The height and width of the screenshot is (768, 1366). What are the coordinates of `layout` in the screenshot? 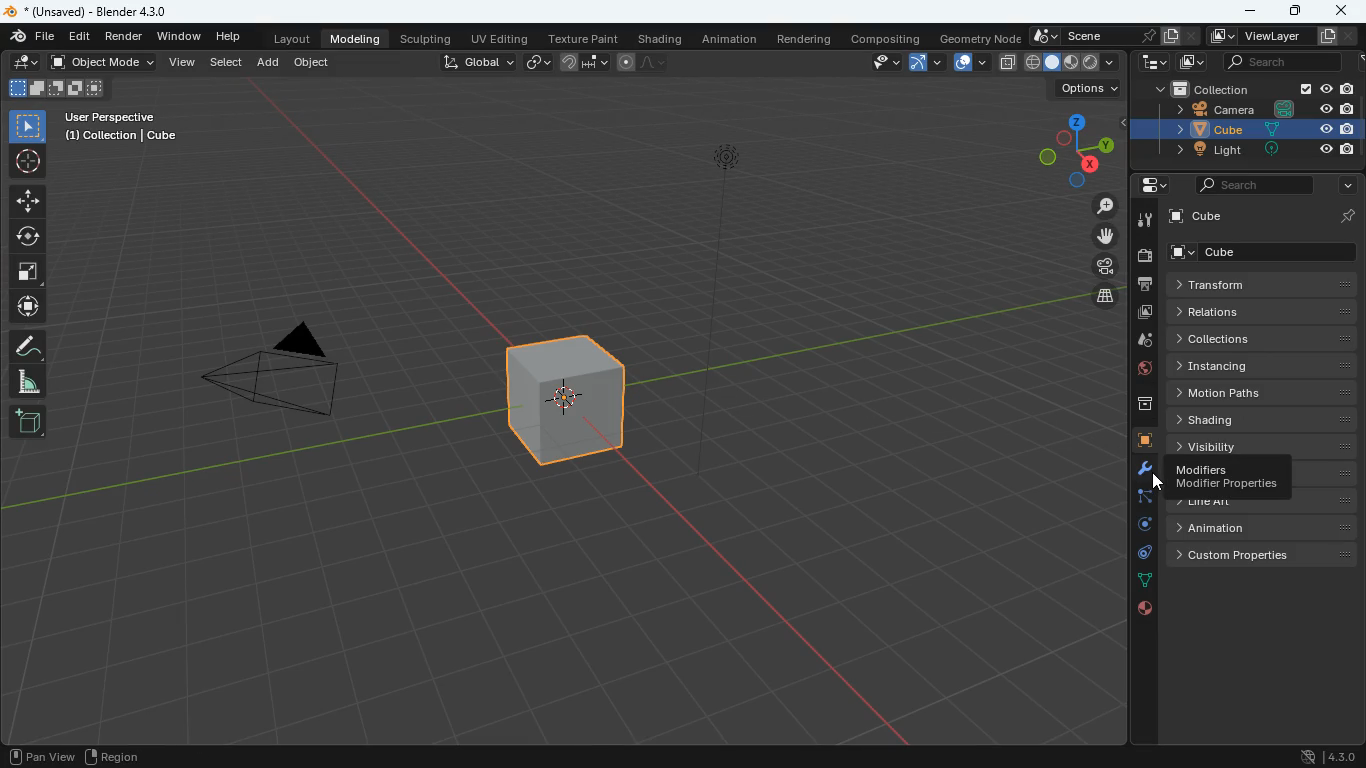 It's located at (292, 37).